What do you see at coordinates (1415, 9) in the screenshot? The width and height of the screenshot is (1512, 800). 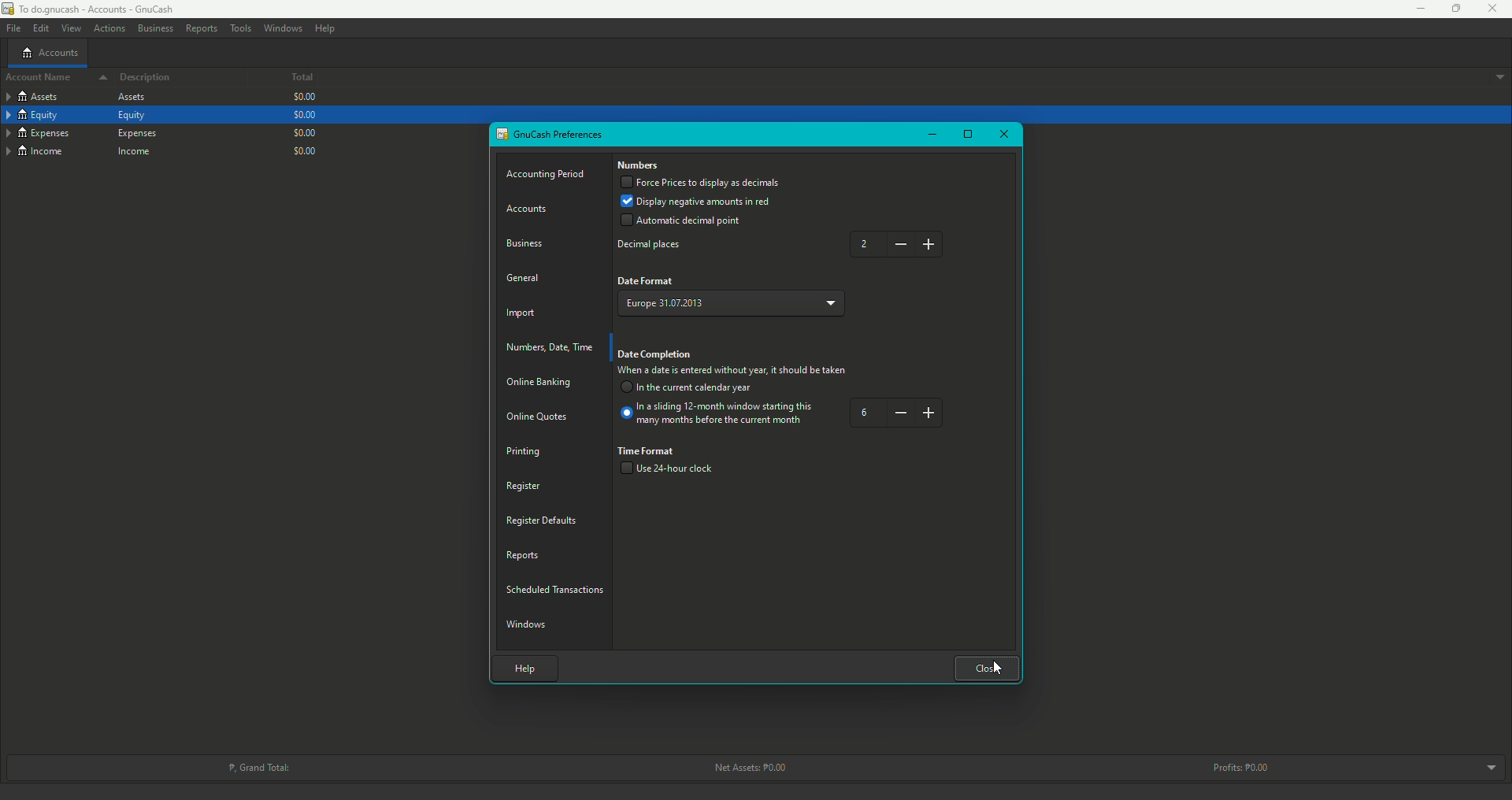 I see `Minimize` at bounding box center [1415, 9].